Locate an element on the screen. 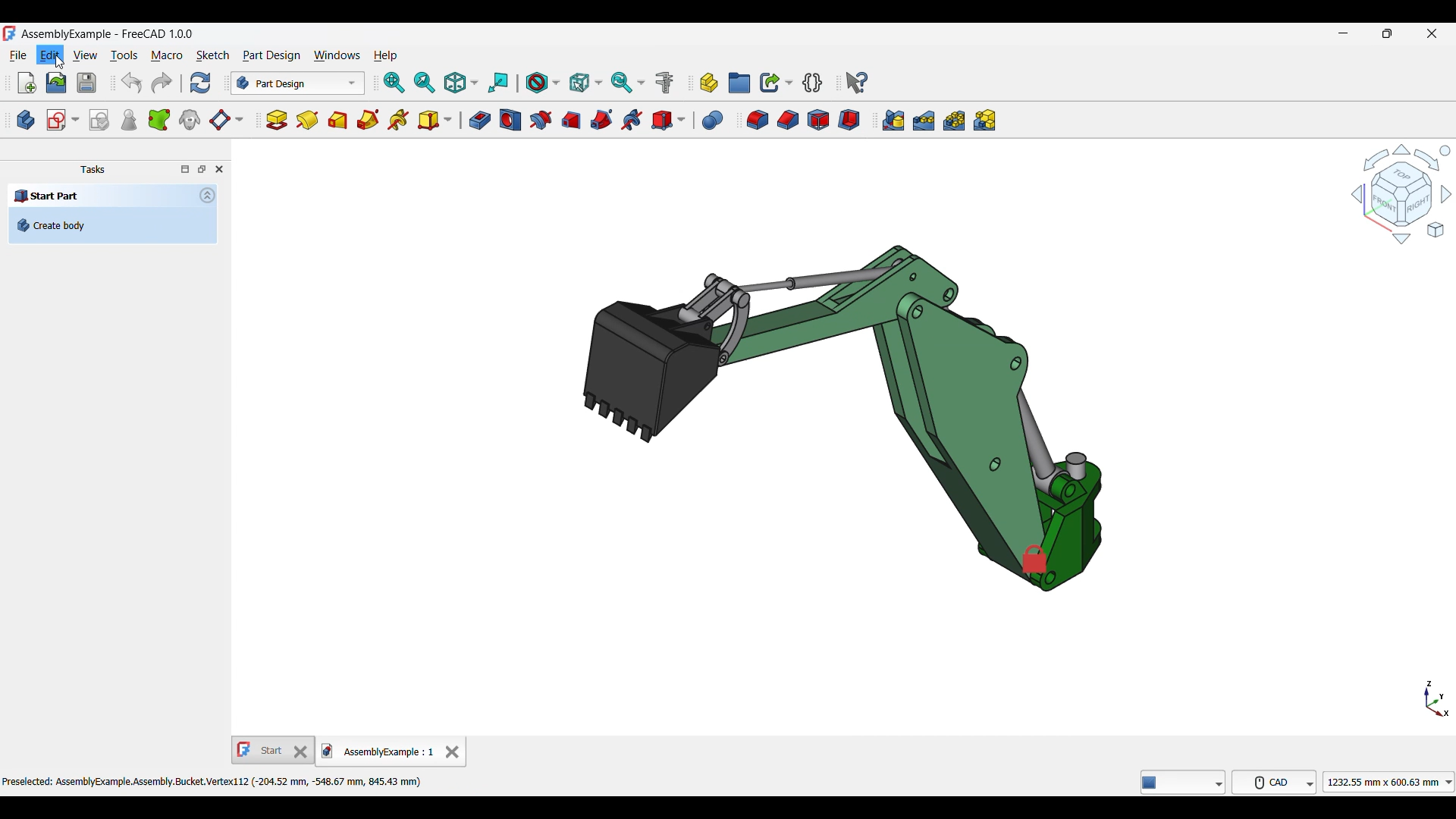 The width and height of the screenshot is (1456, 819). Create a subtractive primitive options is located at coordinates (669, 120).